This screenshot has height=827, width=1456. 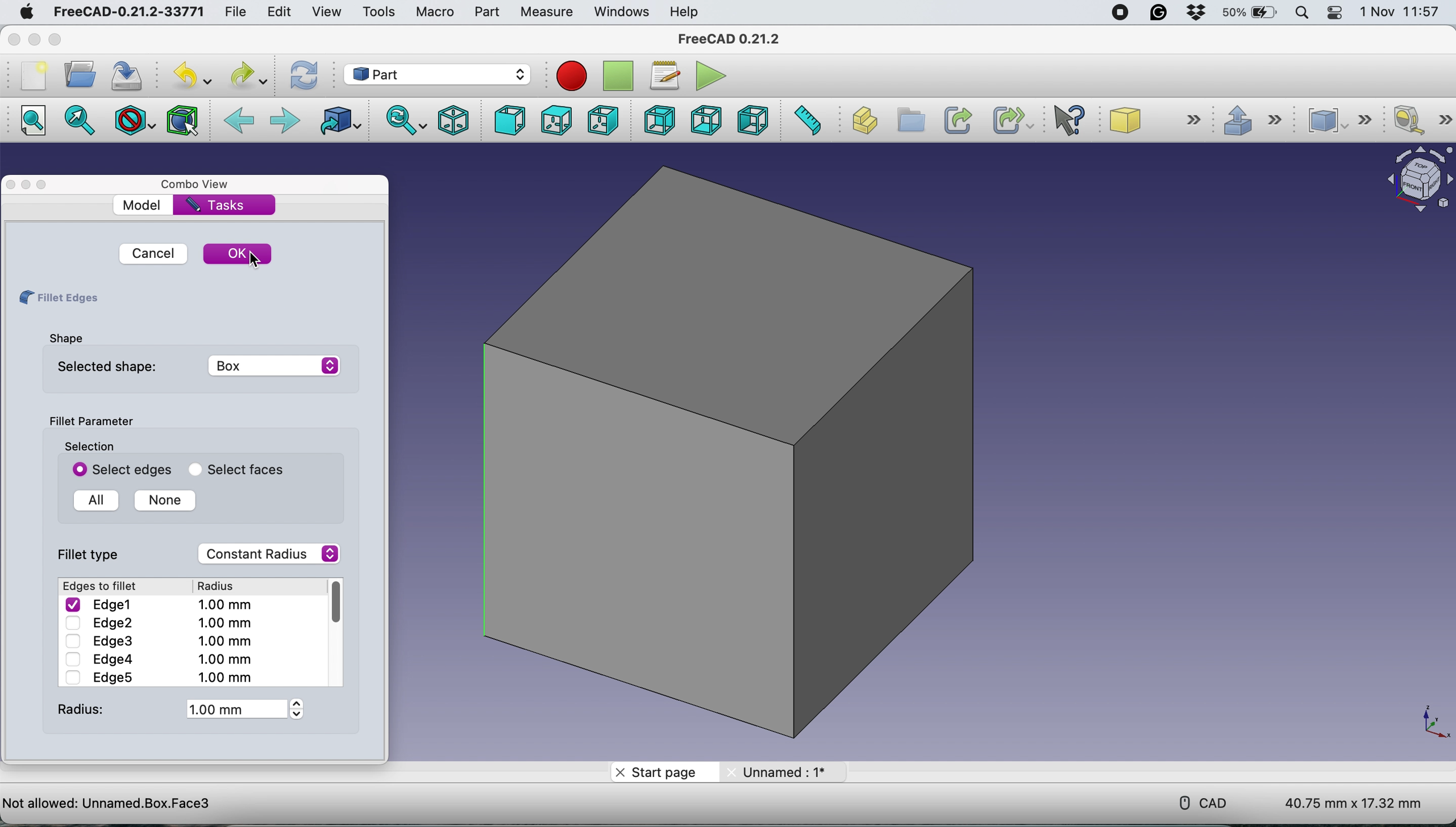 I want to click on Ok , so click(x=238, y=252).